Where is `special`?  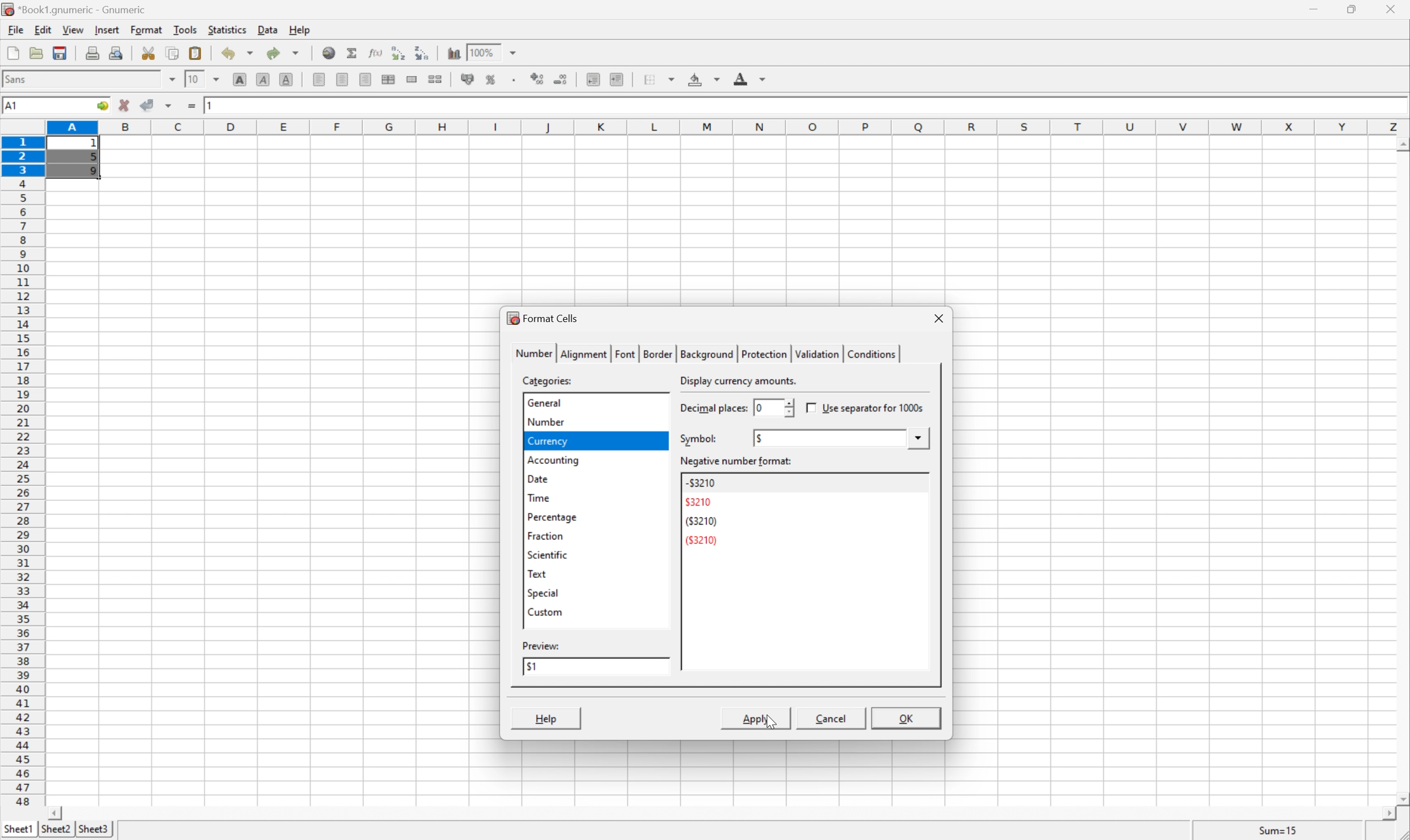
special is located at coordinates (544, 593).